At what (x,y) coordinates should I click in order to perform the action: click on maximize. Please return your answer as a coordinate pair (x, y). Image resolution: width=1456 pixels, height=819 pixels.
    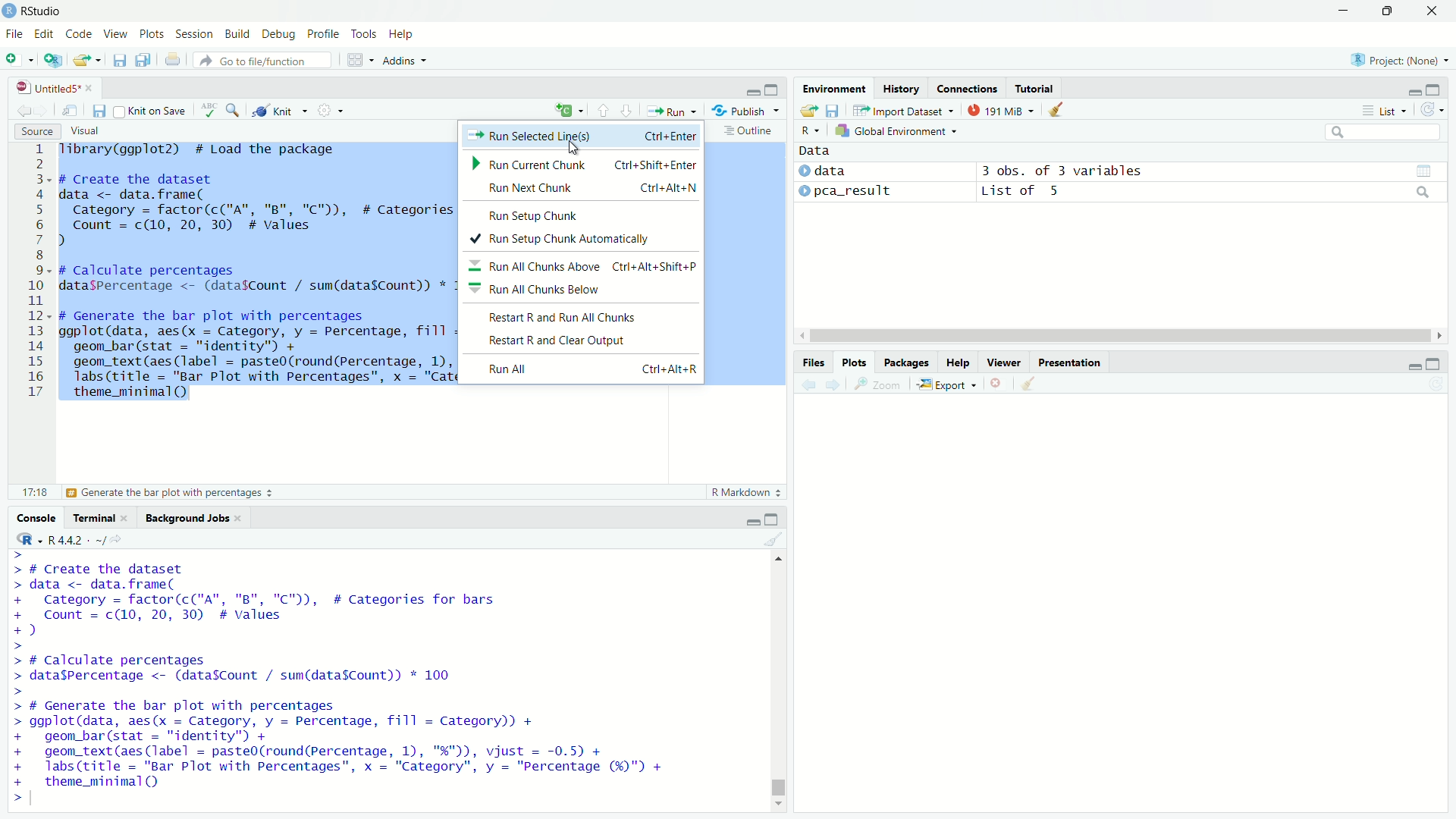
    Looking at the image, I should click on (774, 88).